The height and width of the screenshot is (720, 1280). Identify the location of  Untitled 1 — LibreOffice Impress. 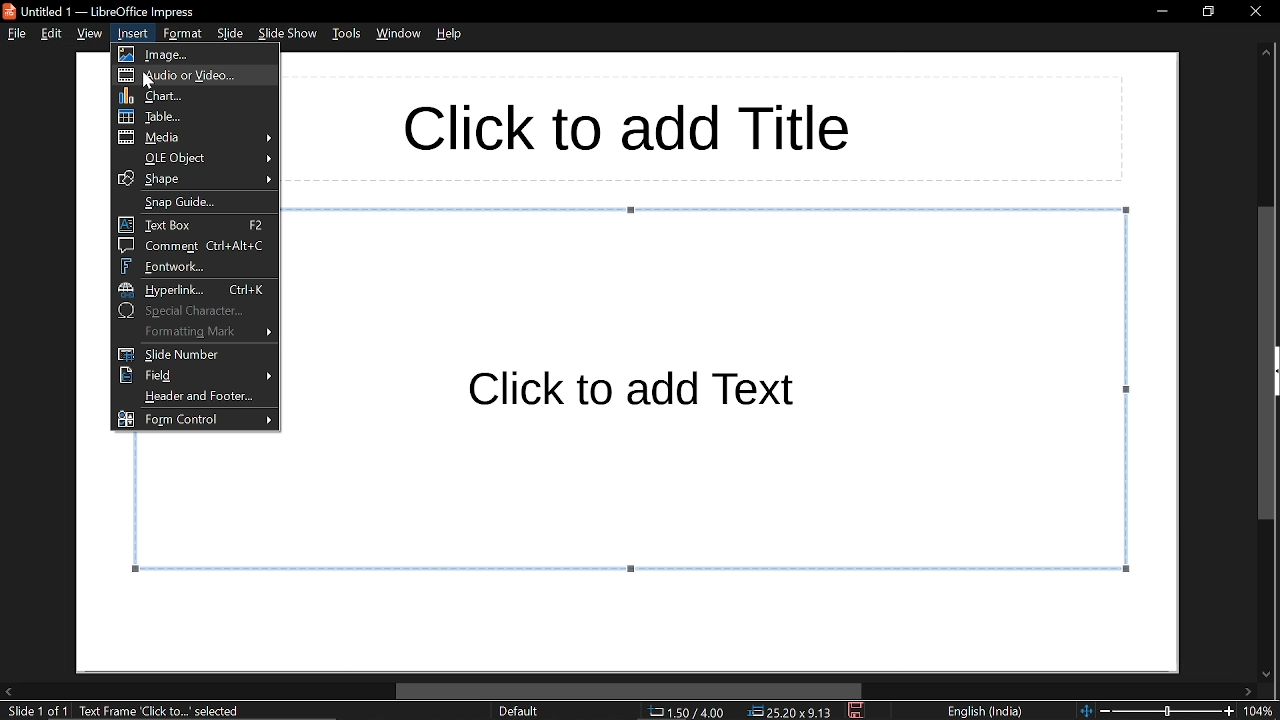
(110, 11).